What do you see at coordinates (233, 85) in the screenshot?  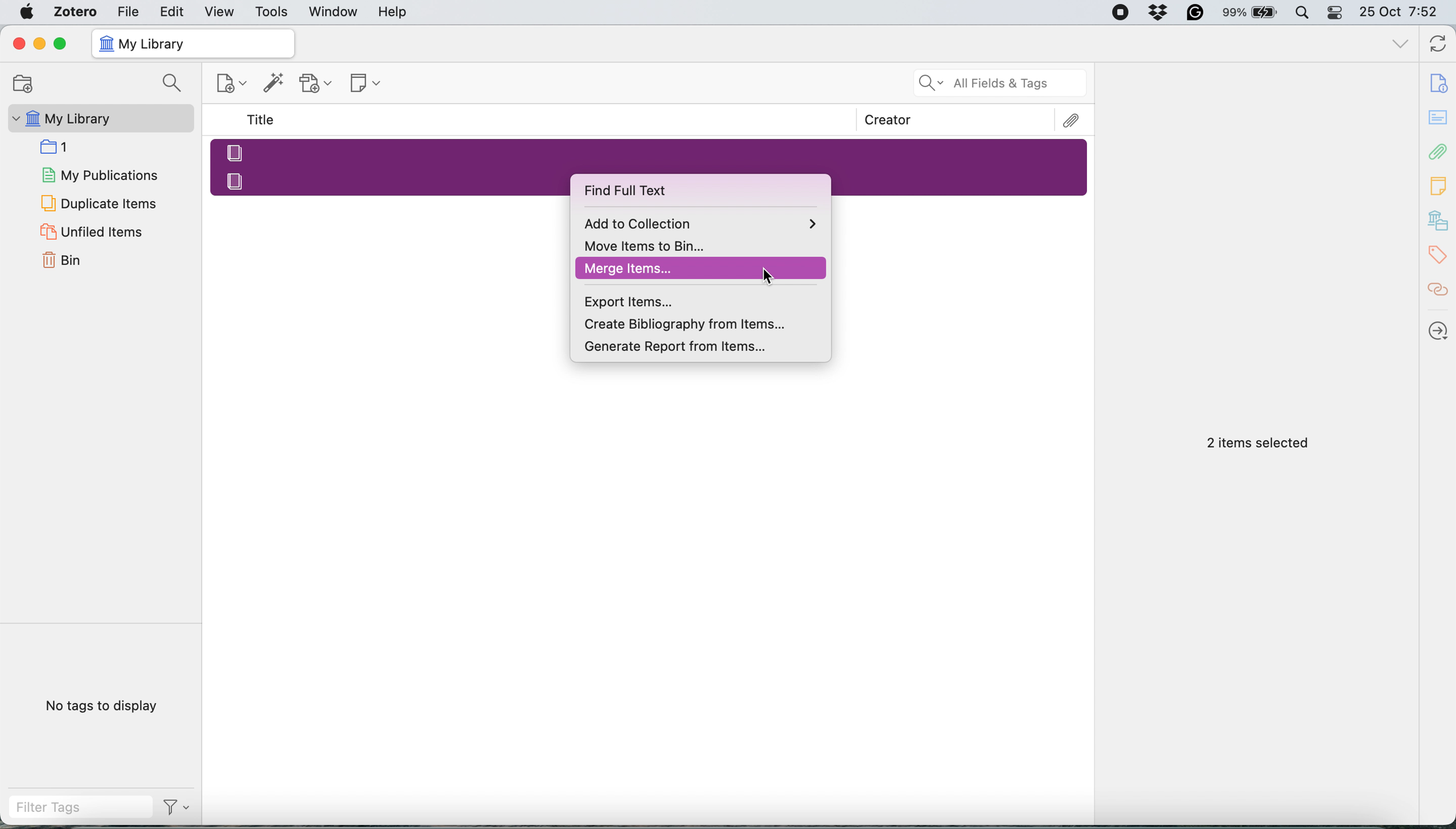 I see `New Item` at bounding box center [233, 85].